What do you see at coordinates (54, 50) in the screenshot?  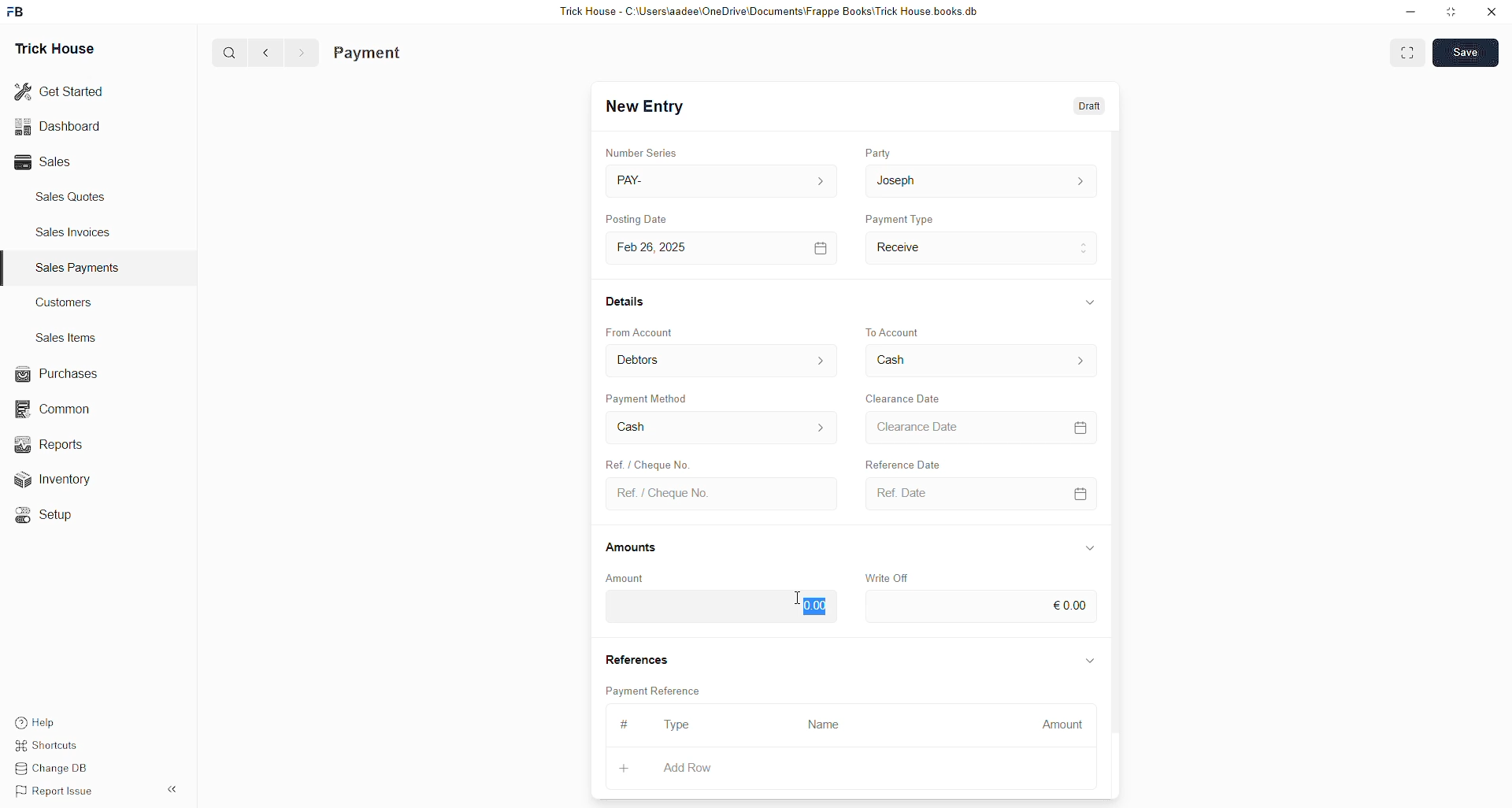 I see `Trick House` at bounding box center [54, 50].